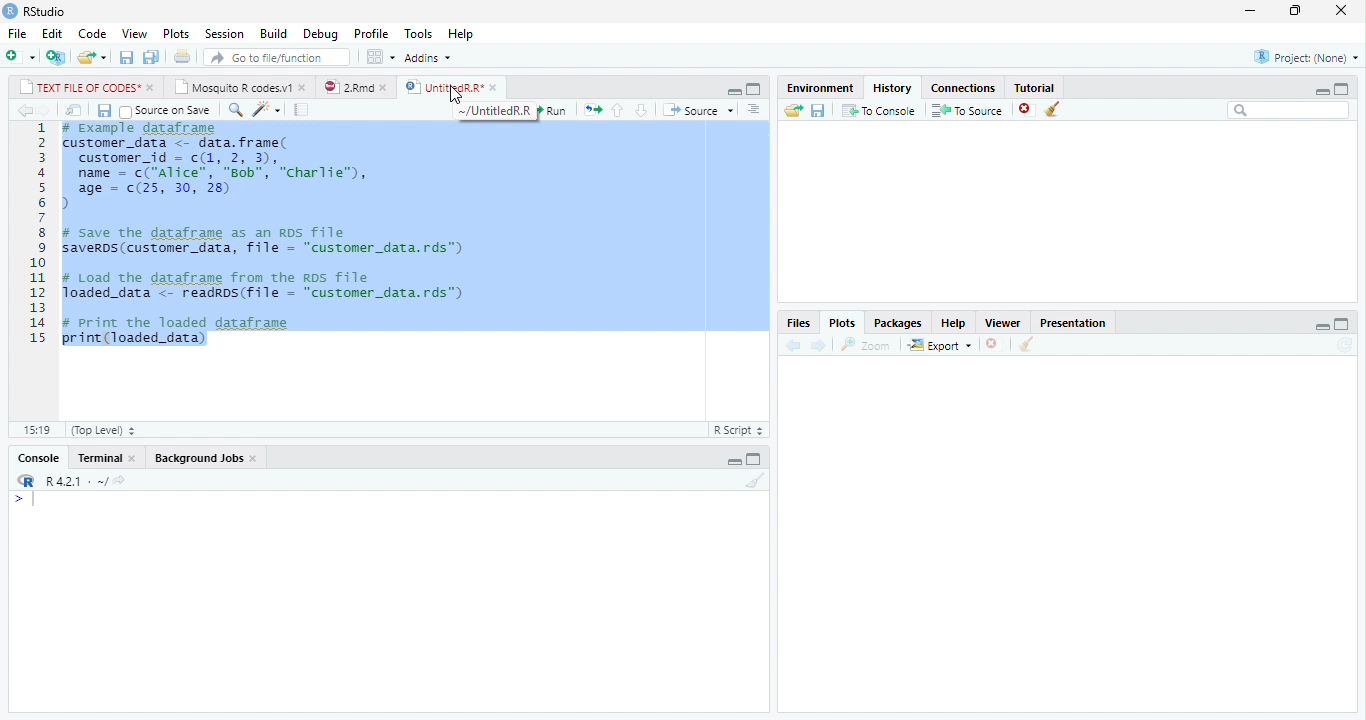 The height and width of the screenshot is (720, 1366). Describe the element at coordinates (817, 345) in the screenshot. I see `forward` at that location.